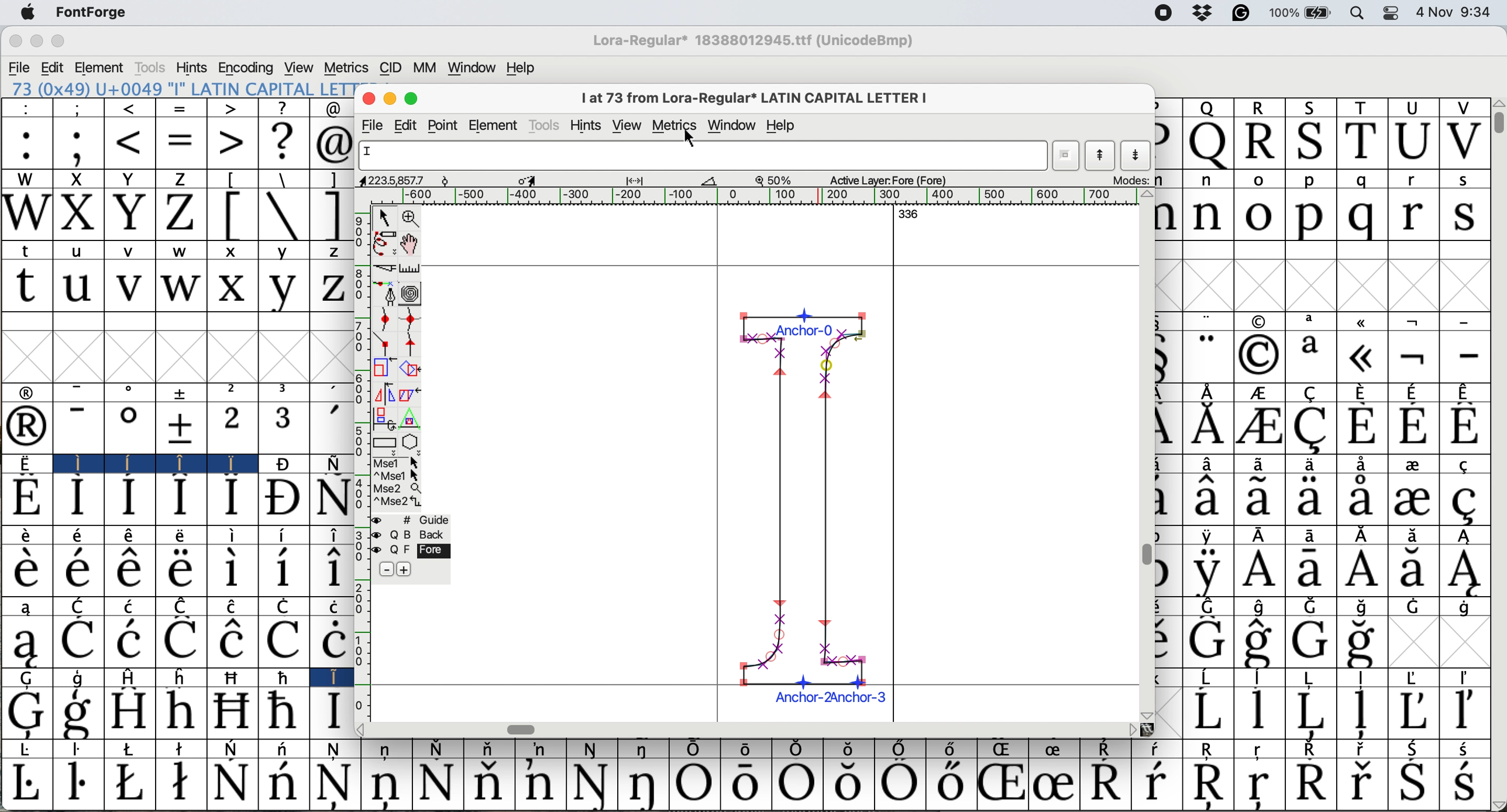 The height and width of the screenshot is (812, 1507). I want to click on Symbol, so click(645, 785).